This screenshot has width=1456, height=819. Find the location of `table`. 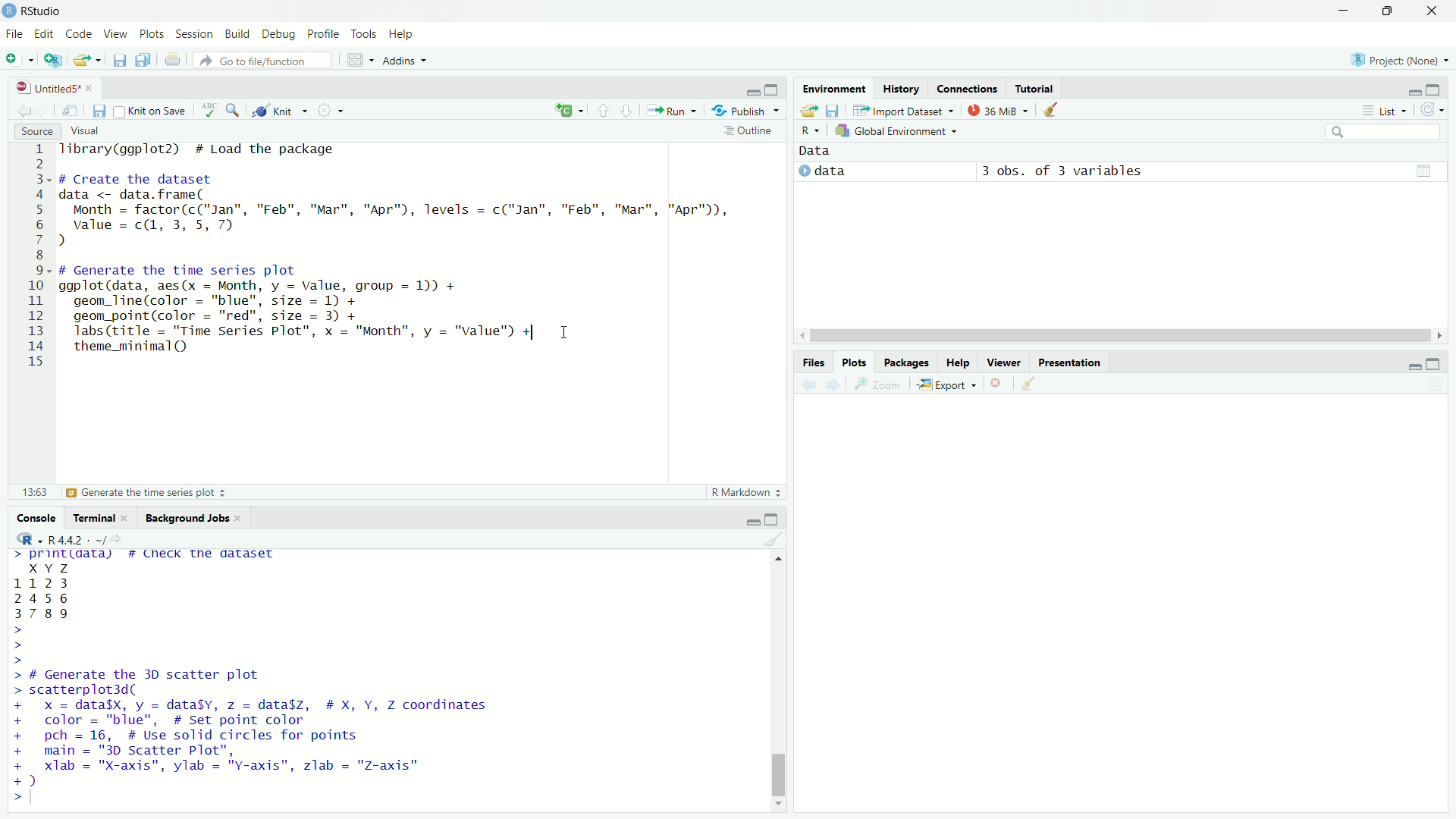

table is located at coordinates (1423, 170).